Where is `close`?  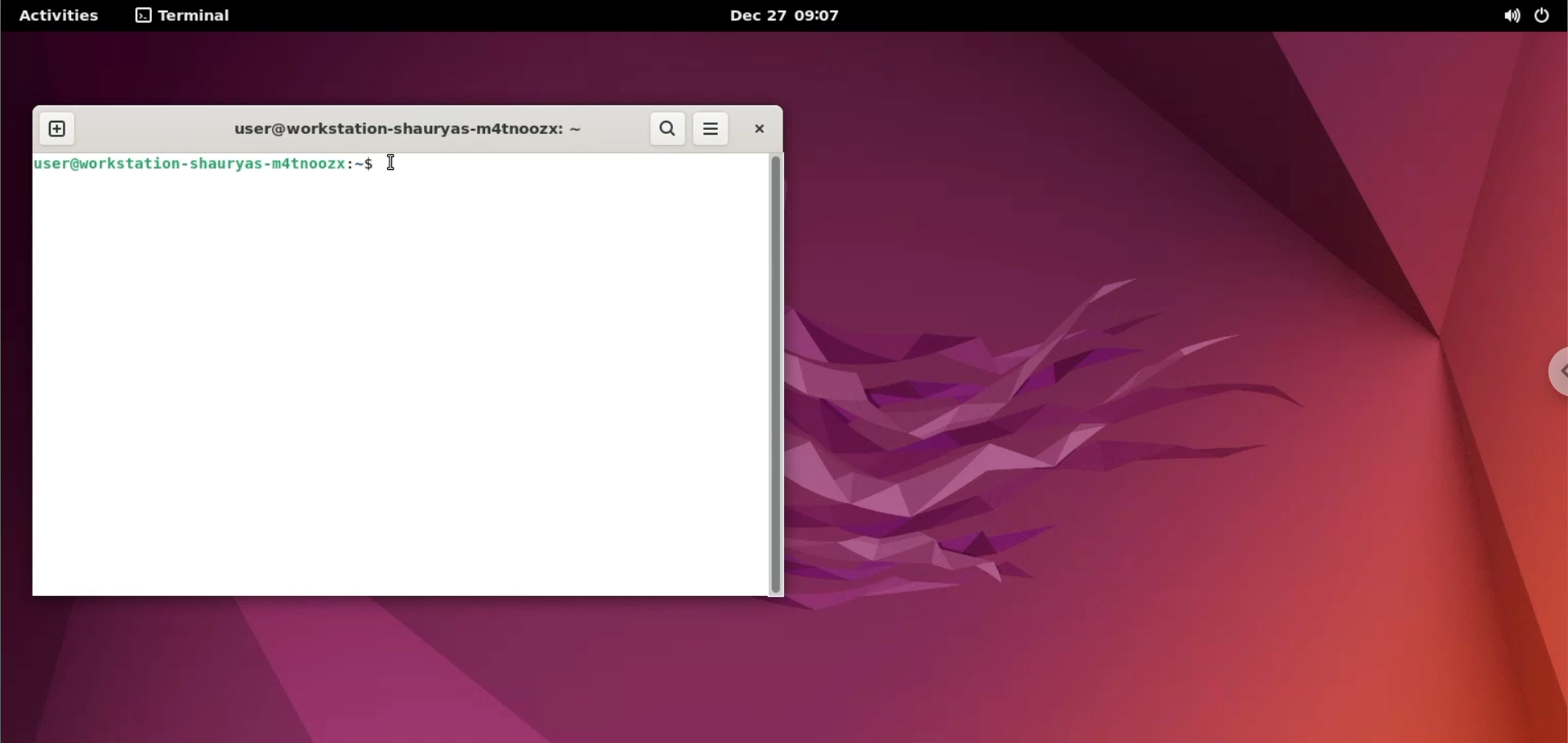 close is located at coordinates (757, 129).